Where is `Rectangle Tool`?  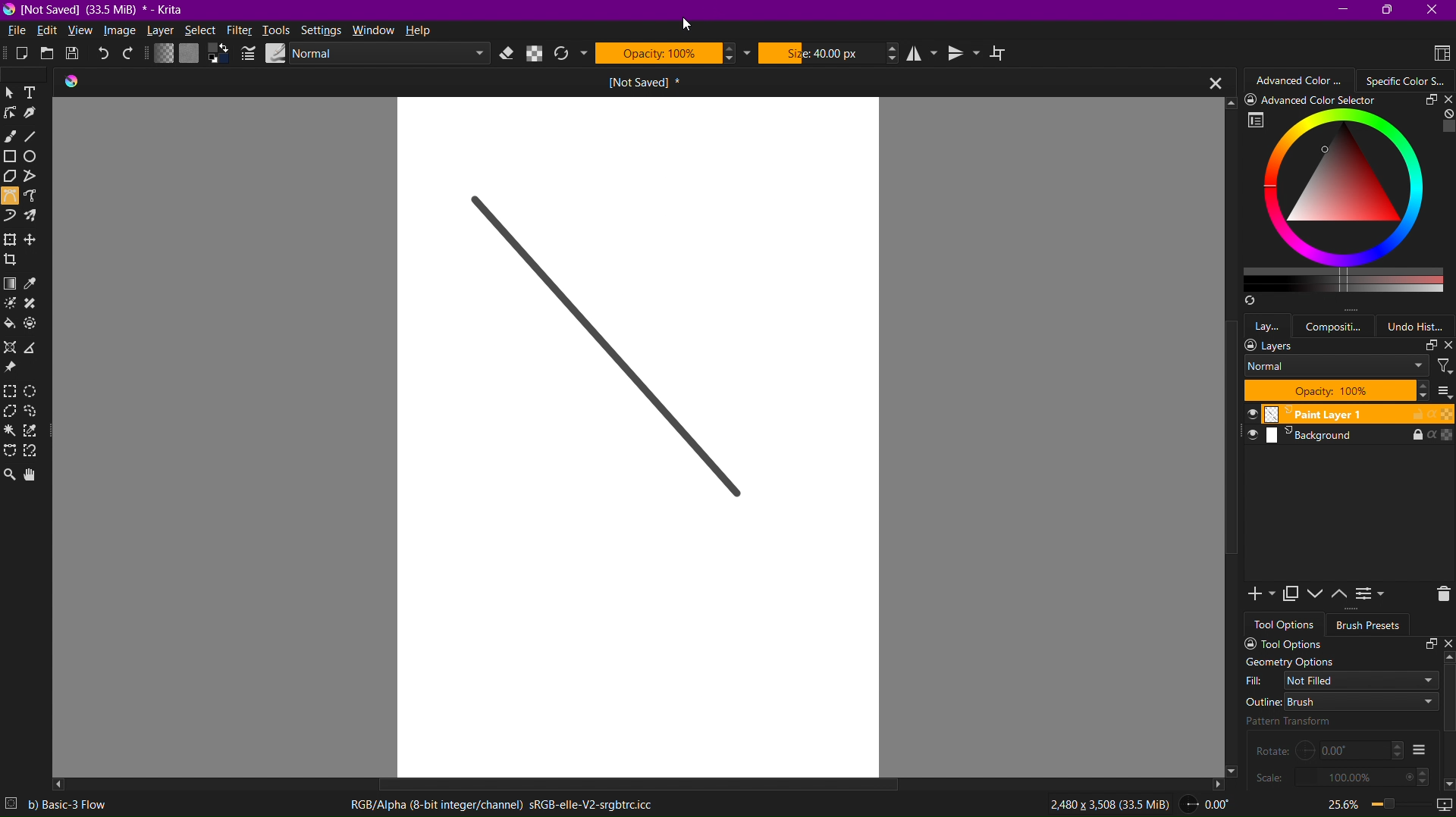
Rectangle Tool is located at coordinates (13, 158).